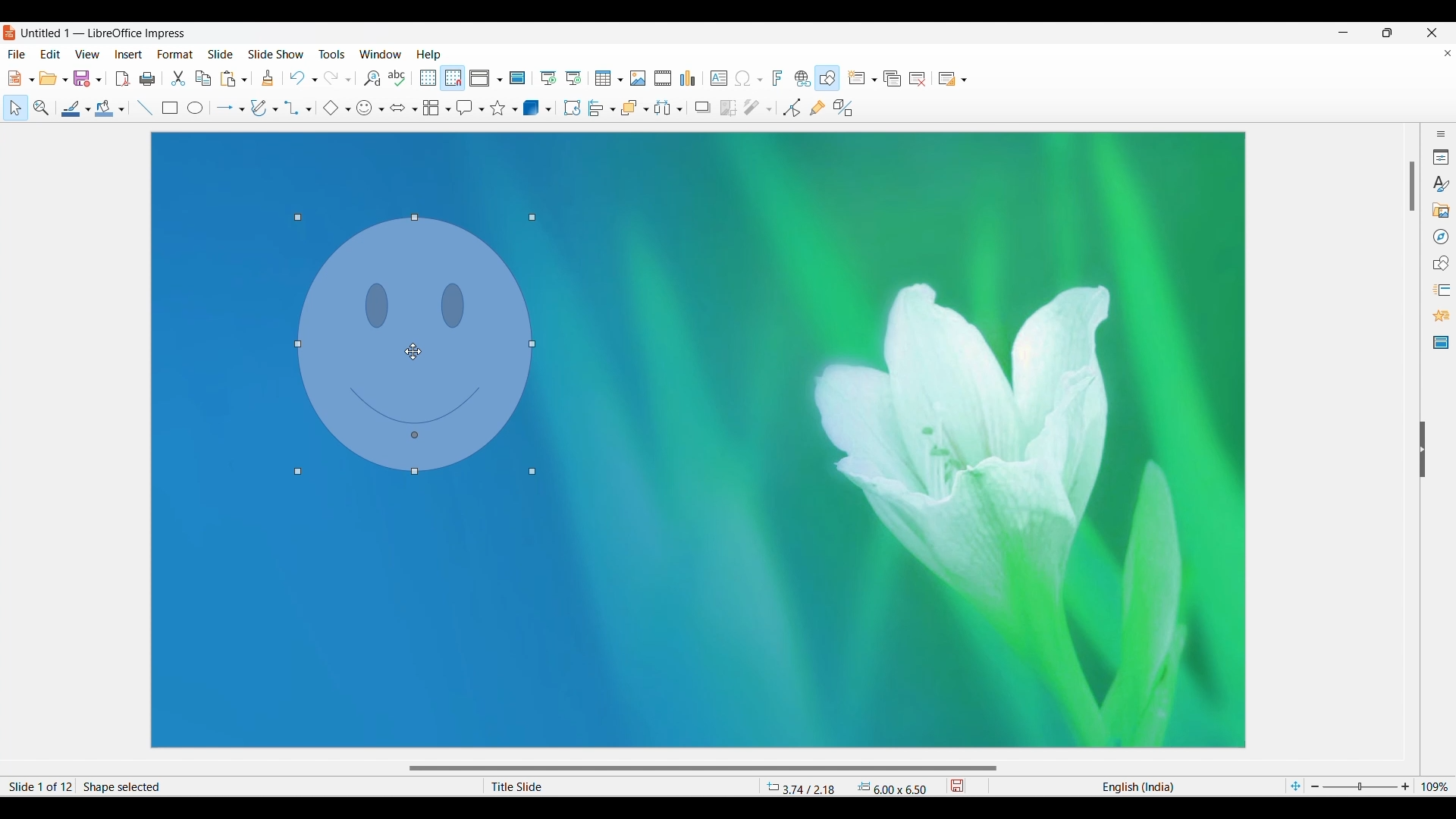  Describe the element at coordinates (1440, 263) in the screenshot. I see `Shapes` at that location.